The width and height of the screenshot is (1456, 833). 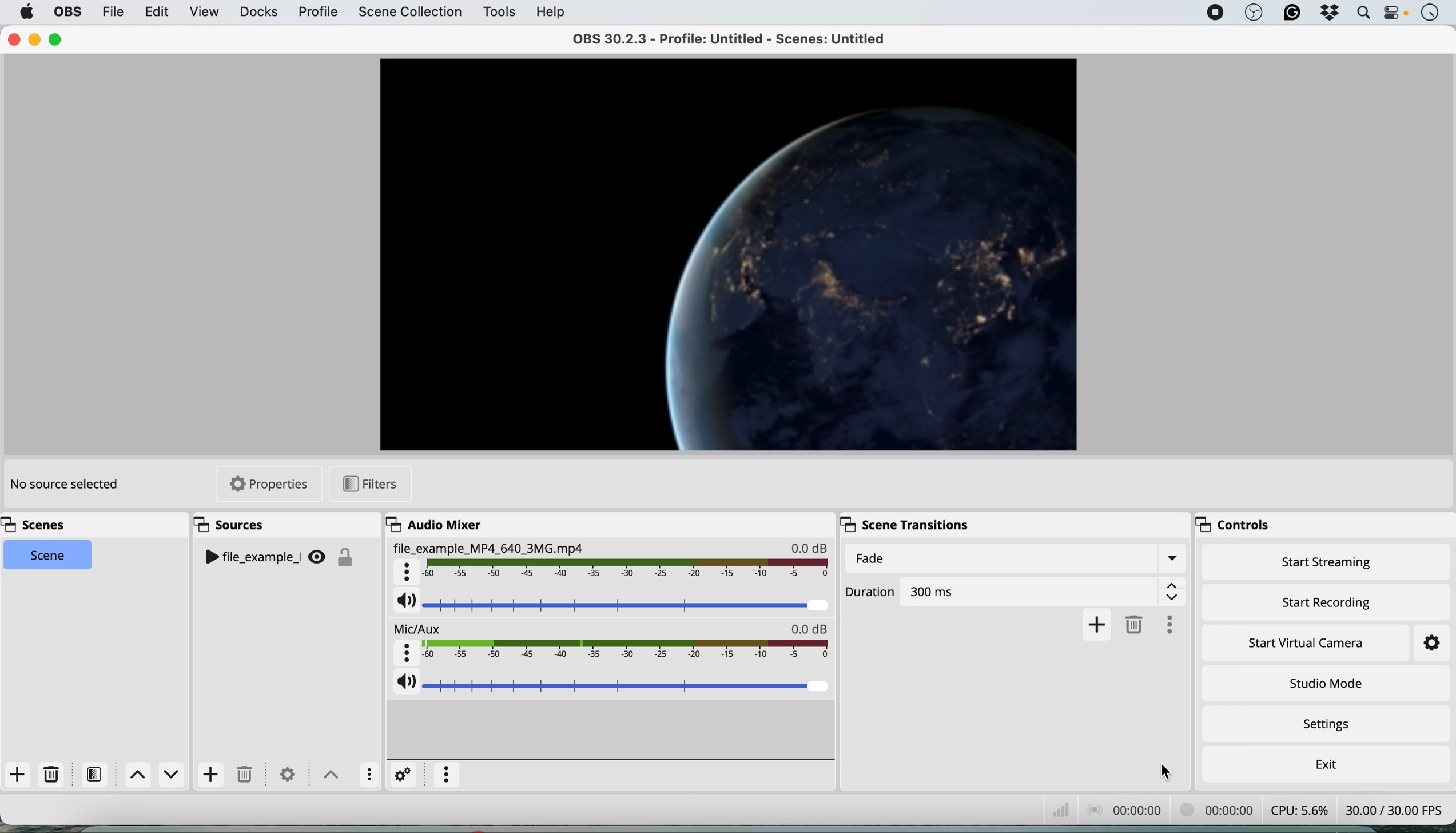 What do you see at coordinates (1059, 807) in the screenshot?
I see `network` at bounding box center [1059, 807].